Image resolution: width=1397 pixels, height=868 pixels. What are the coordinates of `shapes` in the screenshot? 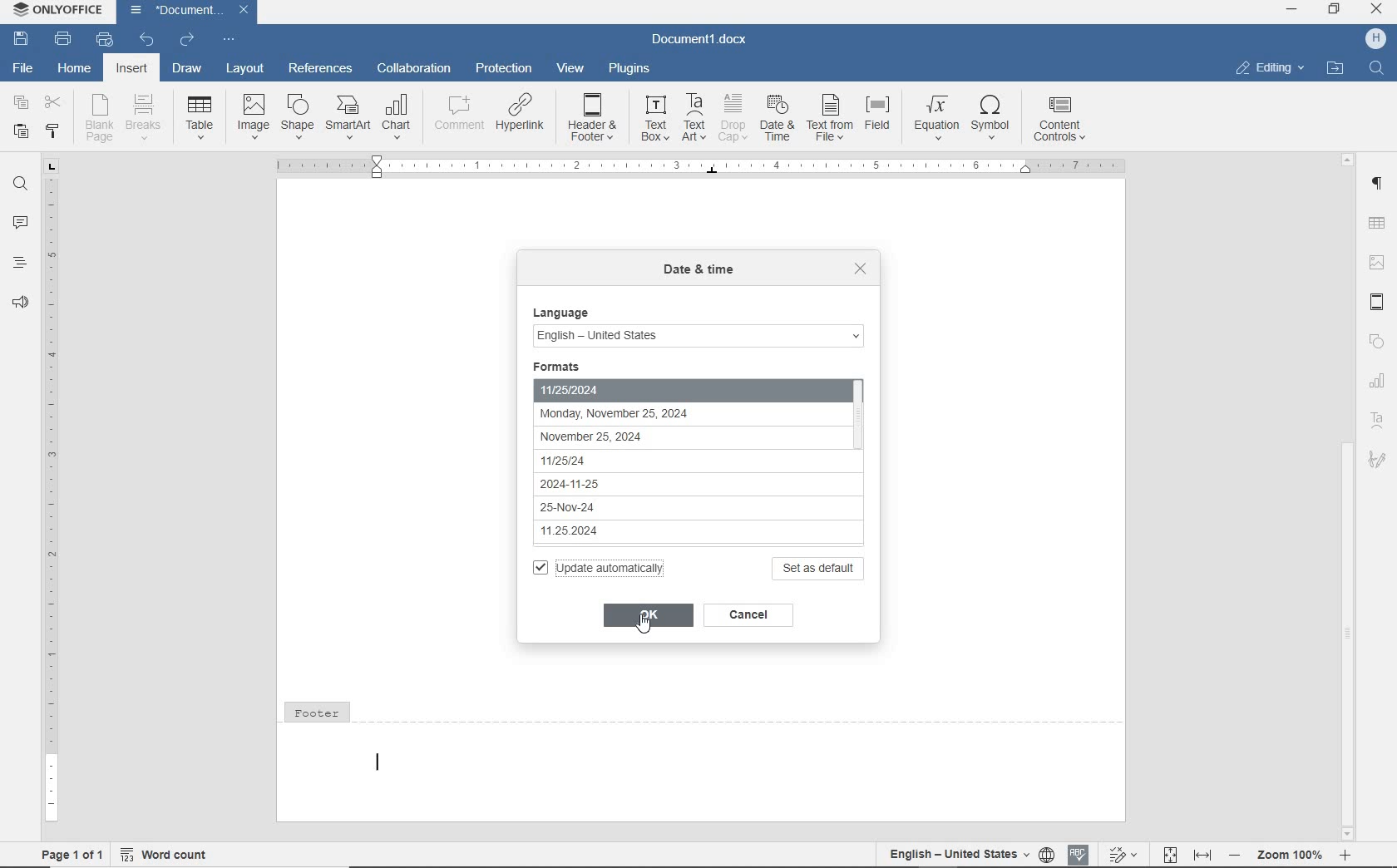 It's located at (1379, 342).